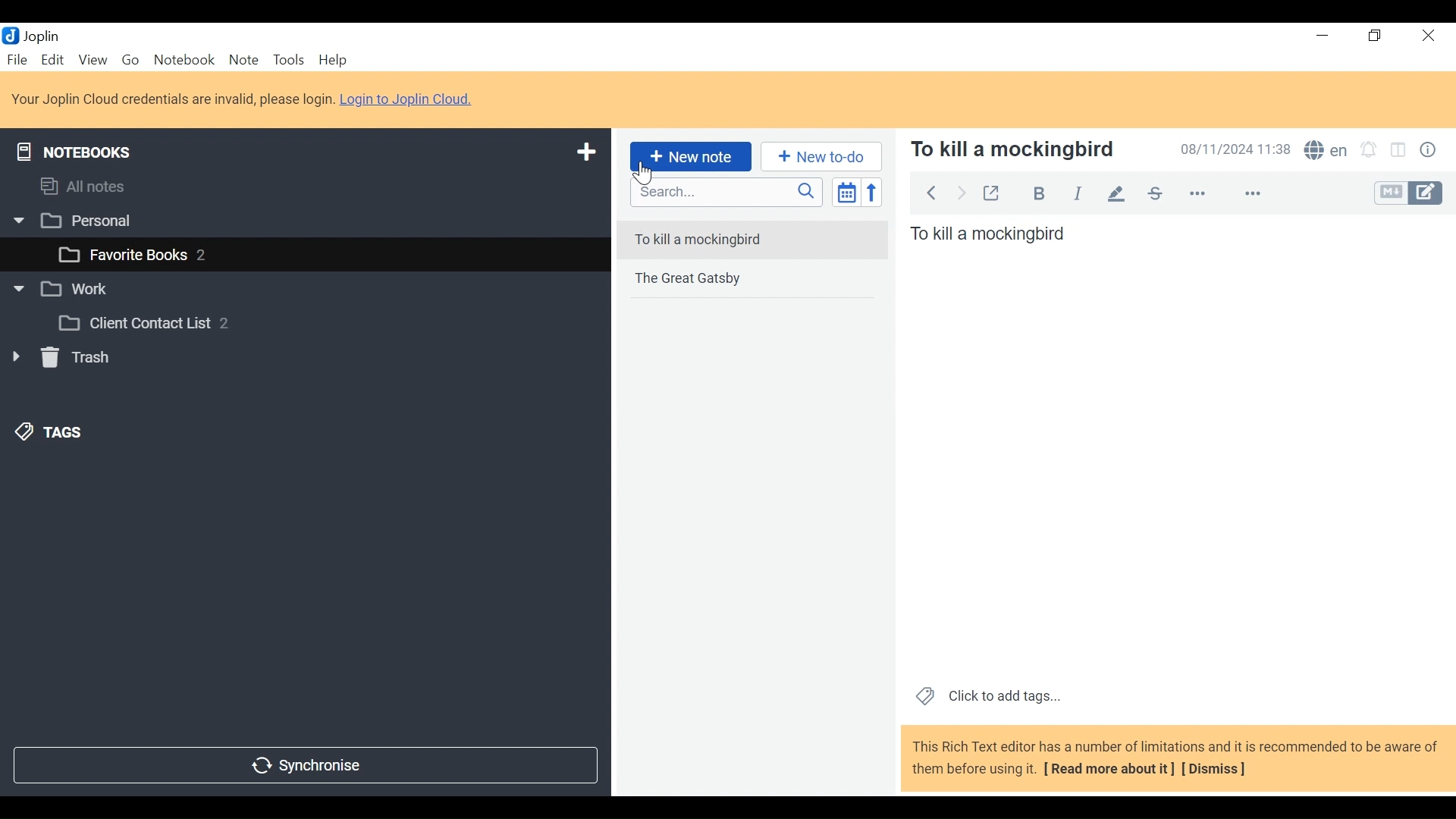 The height and width of the screenshot is (819, 1456). What do you see at coordinates (1031, 150) in the screenshot?
I see `To kill a mockingbird` at bounding box center [1031, 150].